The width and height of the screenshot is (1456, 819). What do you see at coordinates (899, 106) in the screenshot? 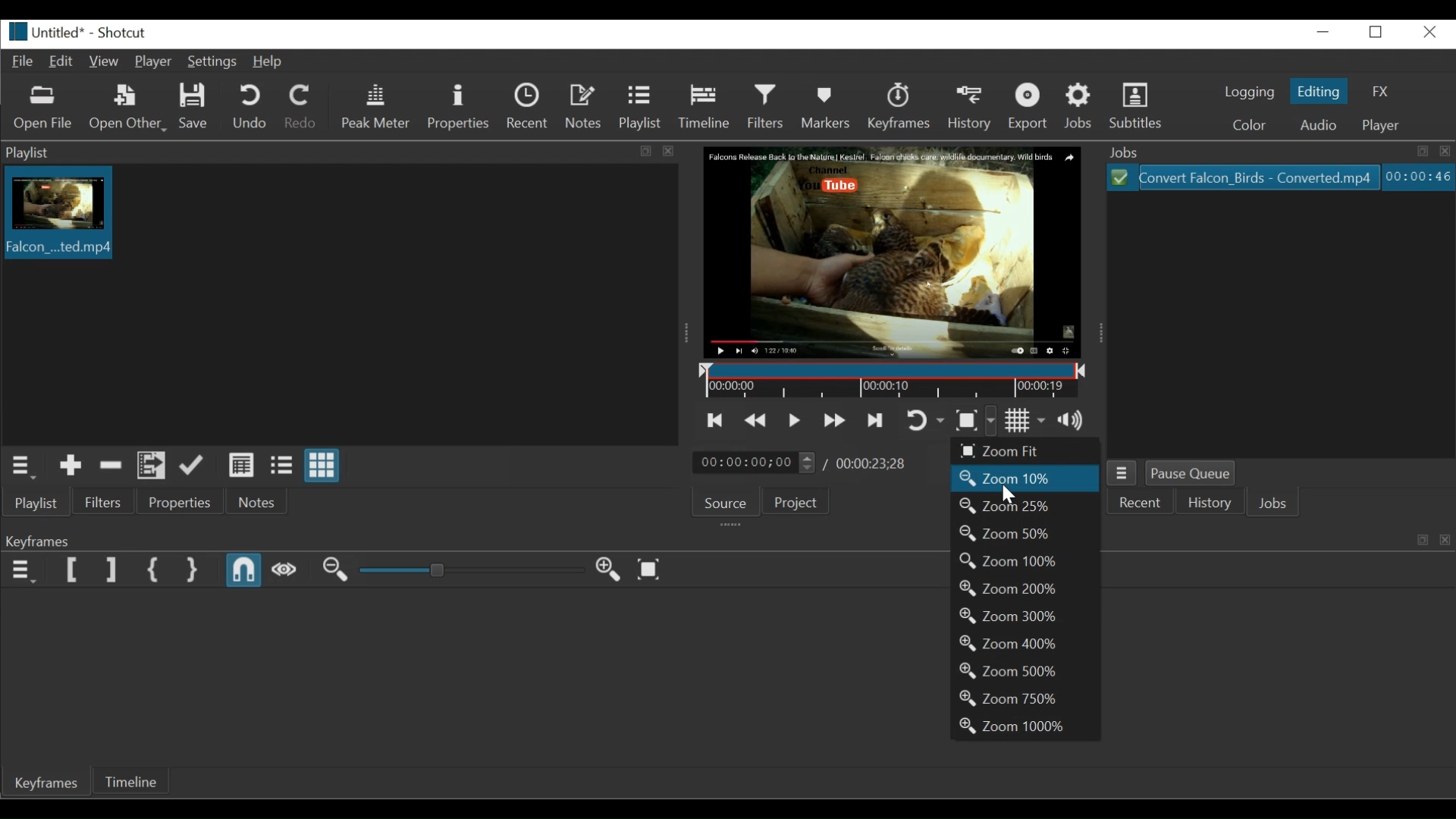
I see `Keyframe` at bounding box center [899, 106].